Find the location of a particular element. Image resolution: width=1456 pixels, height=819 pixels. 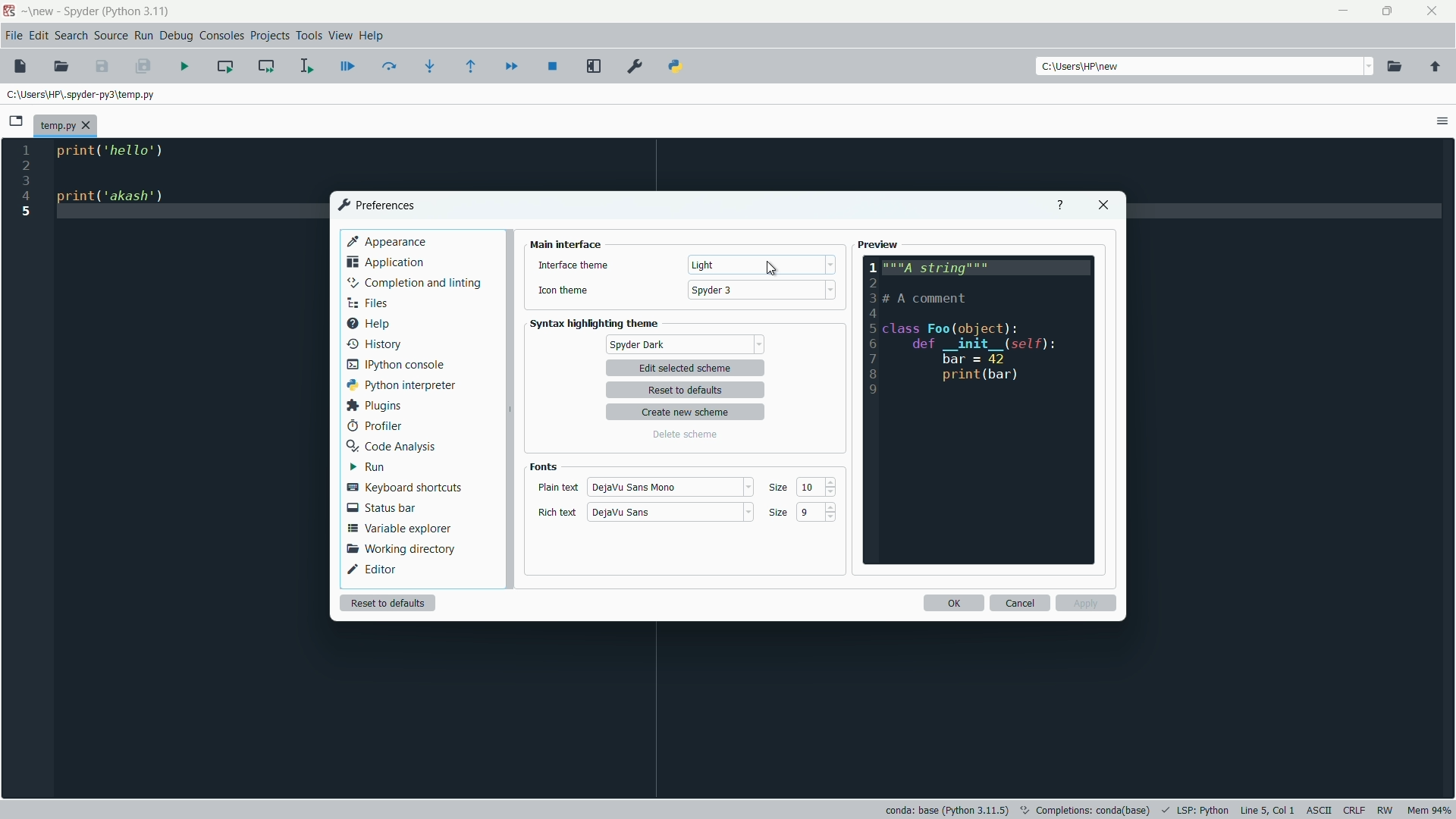

options is located at coordinates (1442, 121).